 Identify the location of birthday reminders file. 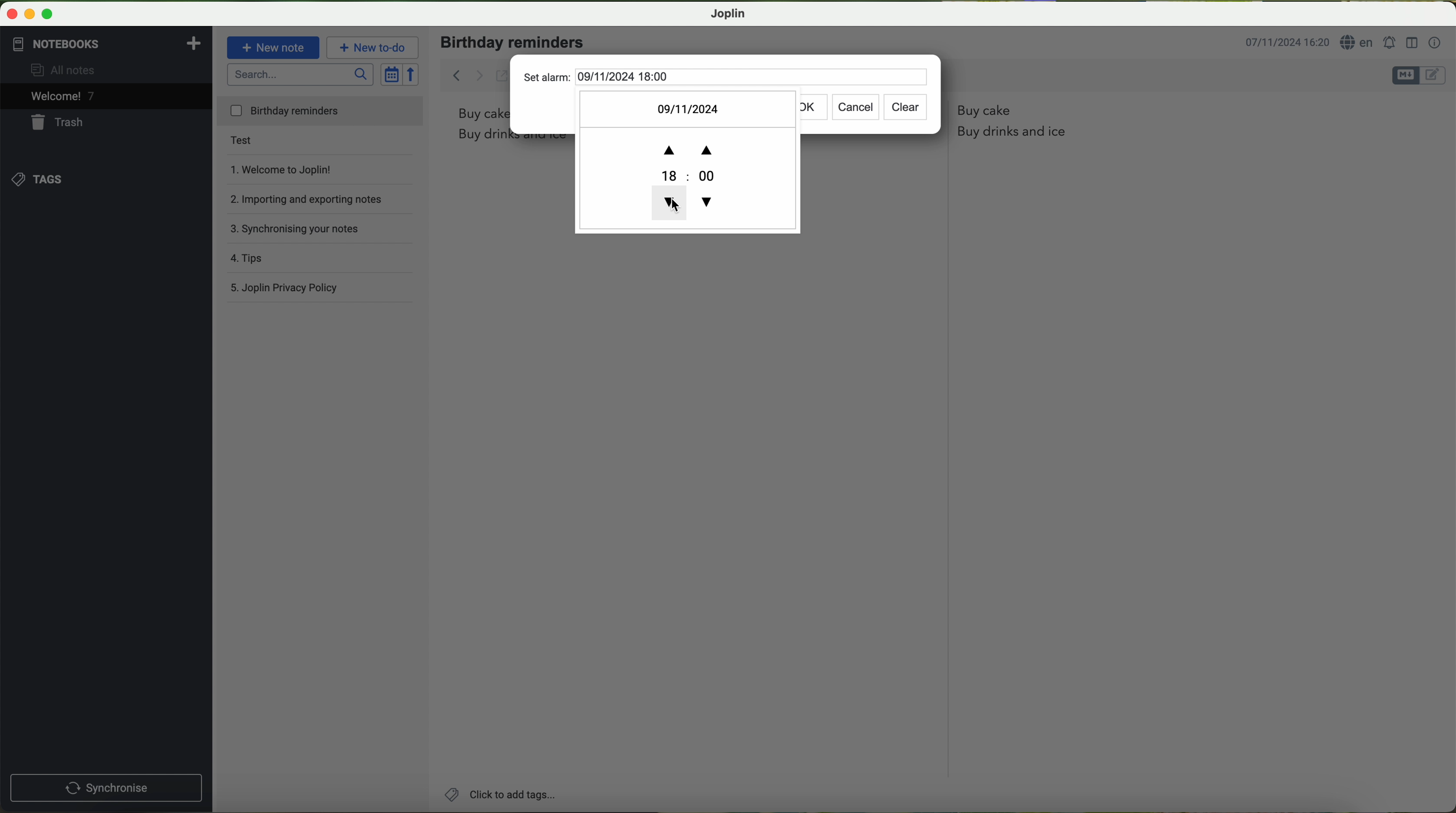
(321, 113).